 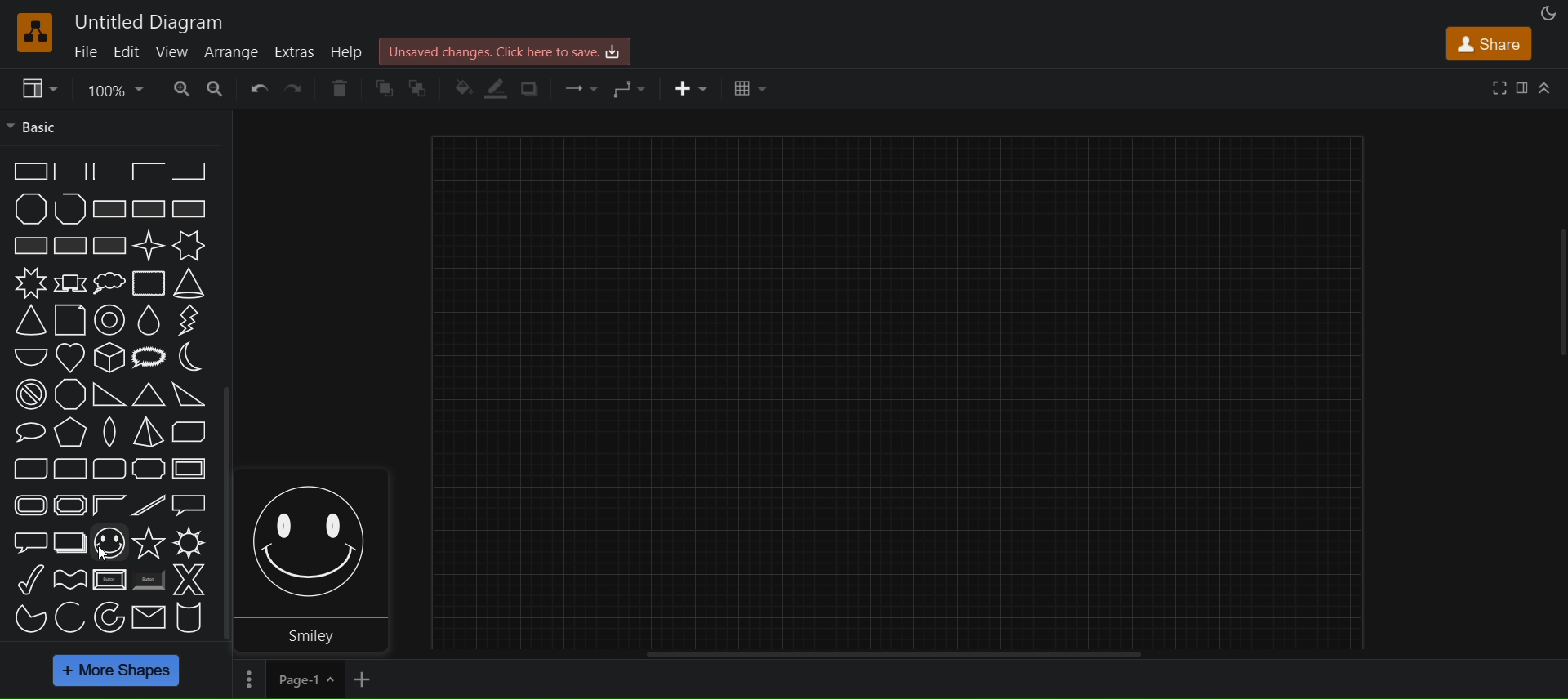 What do you see at coordinates (1488, 43) in the screenshot?
I see `share` at bounding box center [1488, 43].